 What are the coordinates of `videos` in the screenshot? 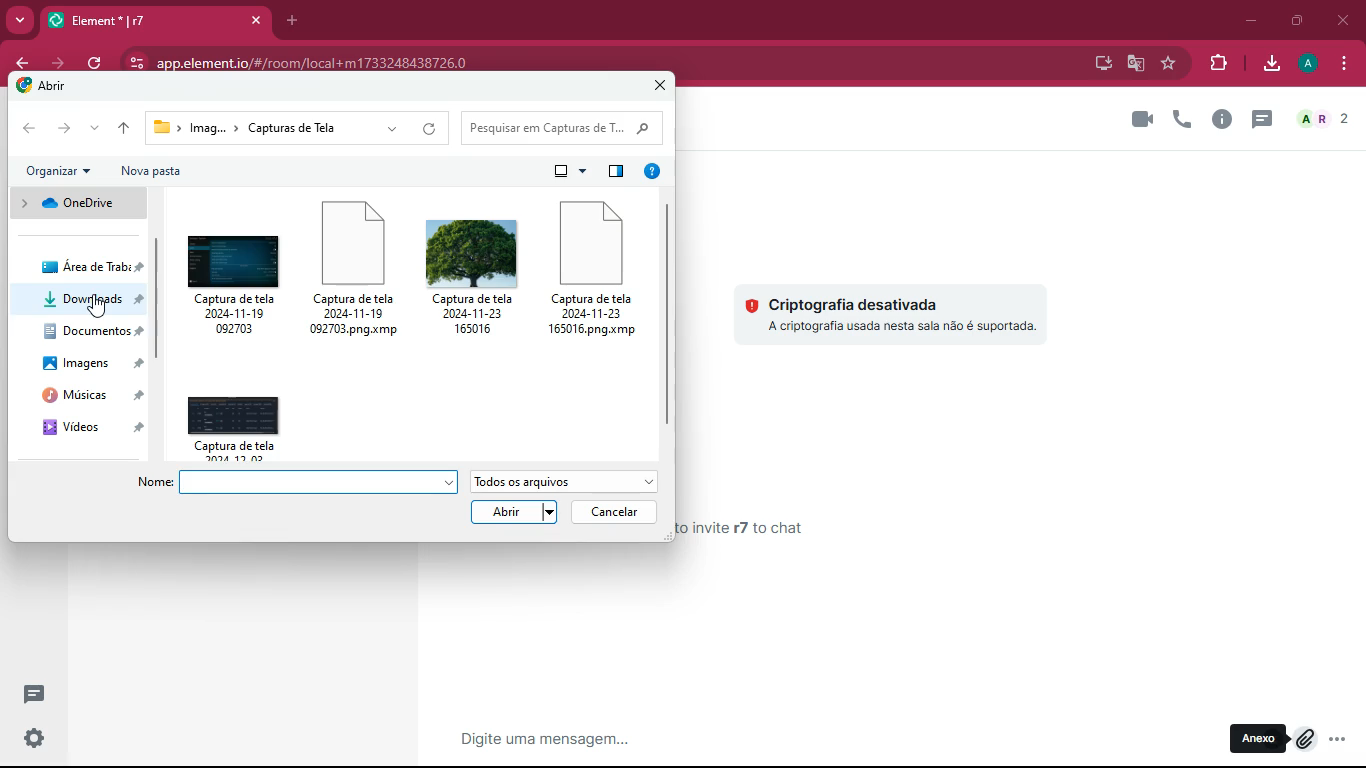 It's located at (93, 427).